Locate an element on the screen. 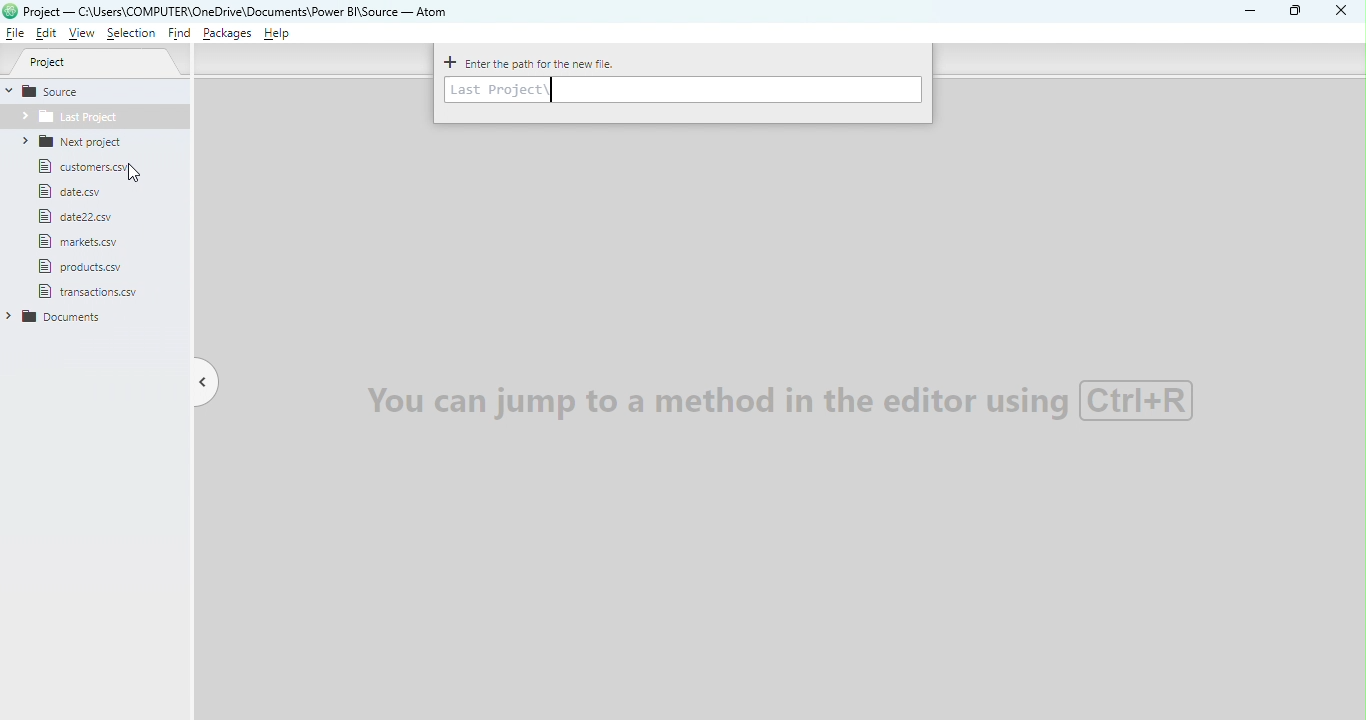  Enter path is located at coordinates (685, 91).